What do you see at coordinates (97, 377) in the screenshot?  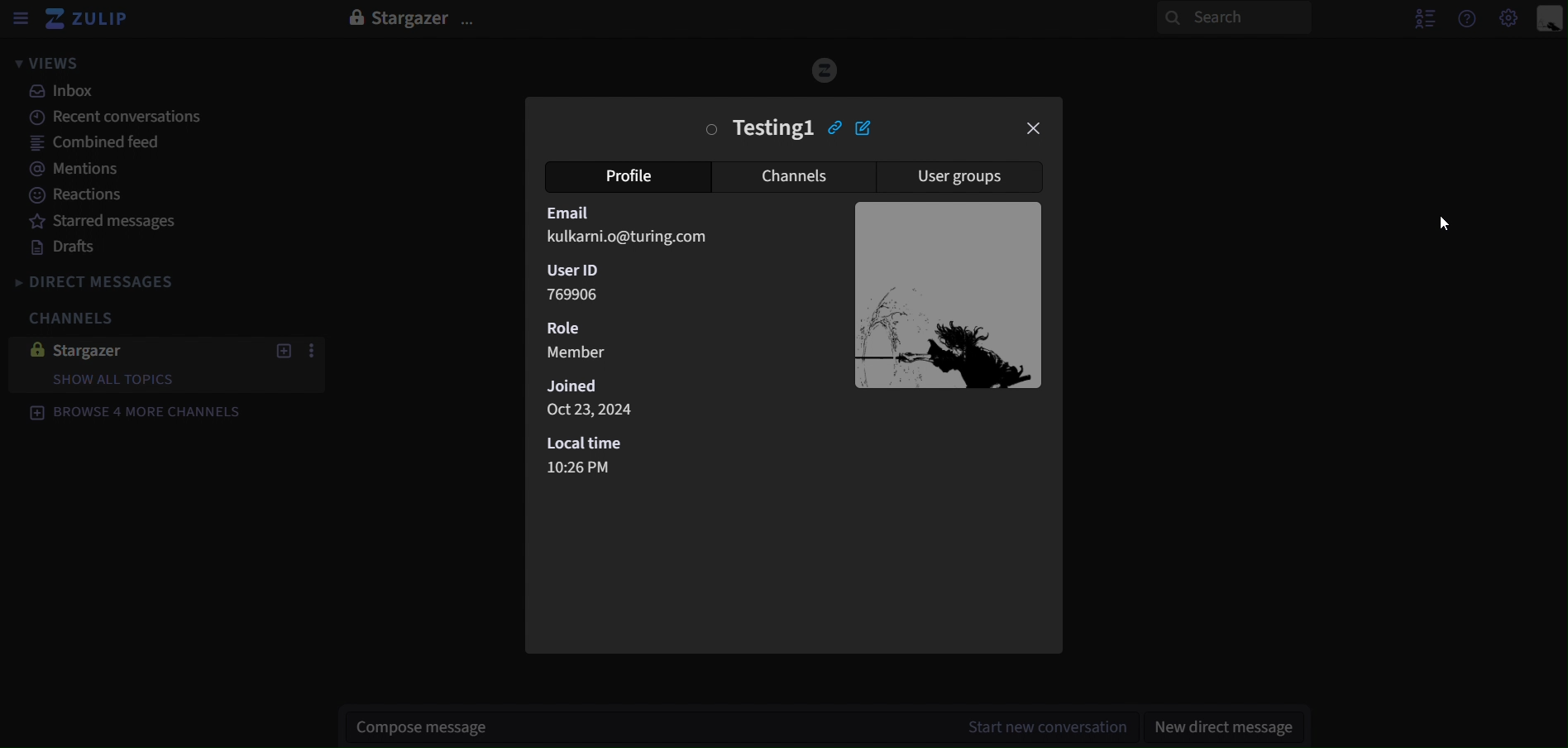 I see `show all topics` at bounding box center [97, 377].